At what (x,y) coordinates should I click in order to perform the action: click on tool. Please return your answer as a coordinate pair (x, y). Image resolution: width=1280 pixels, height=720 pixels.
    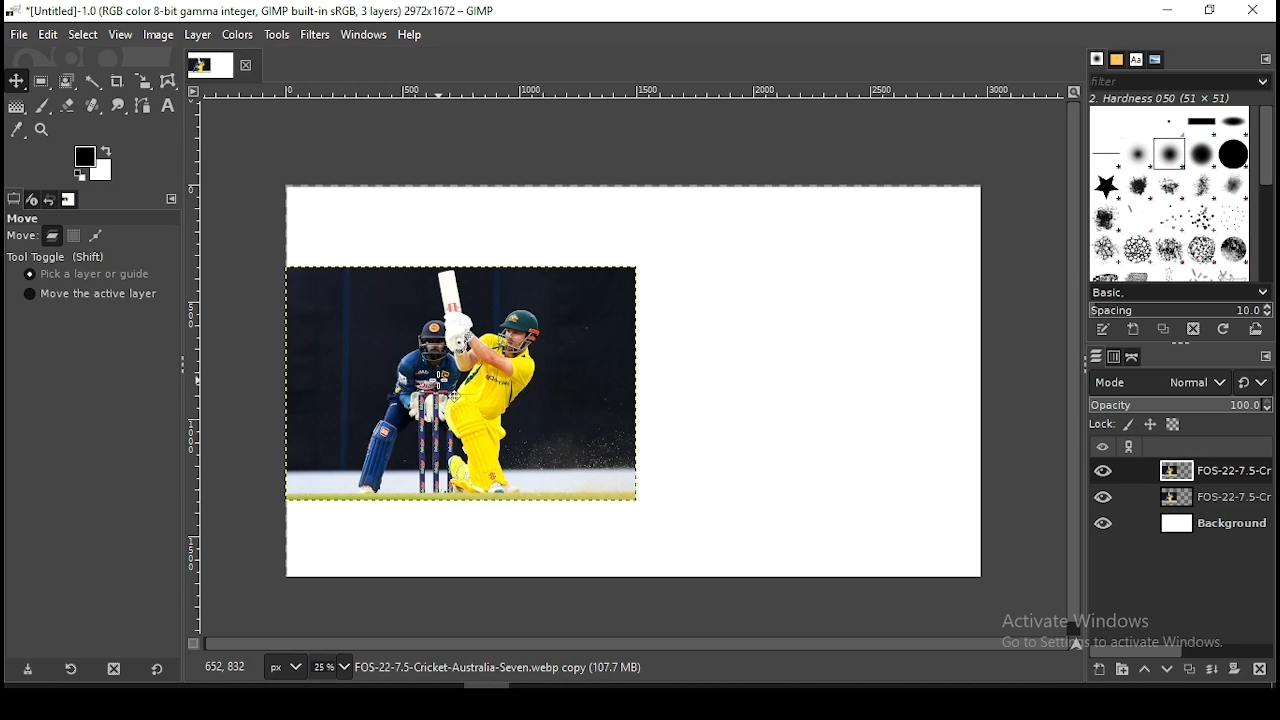
    Looking at the image, I should click on (169, 198).